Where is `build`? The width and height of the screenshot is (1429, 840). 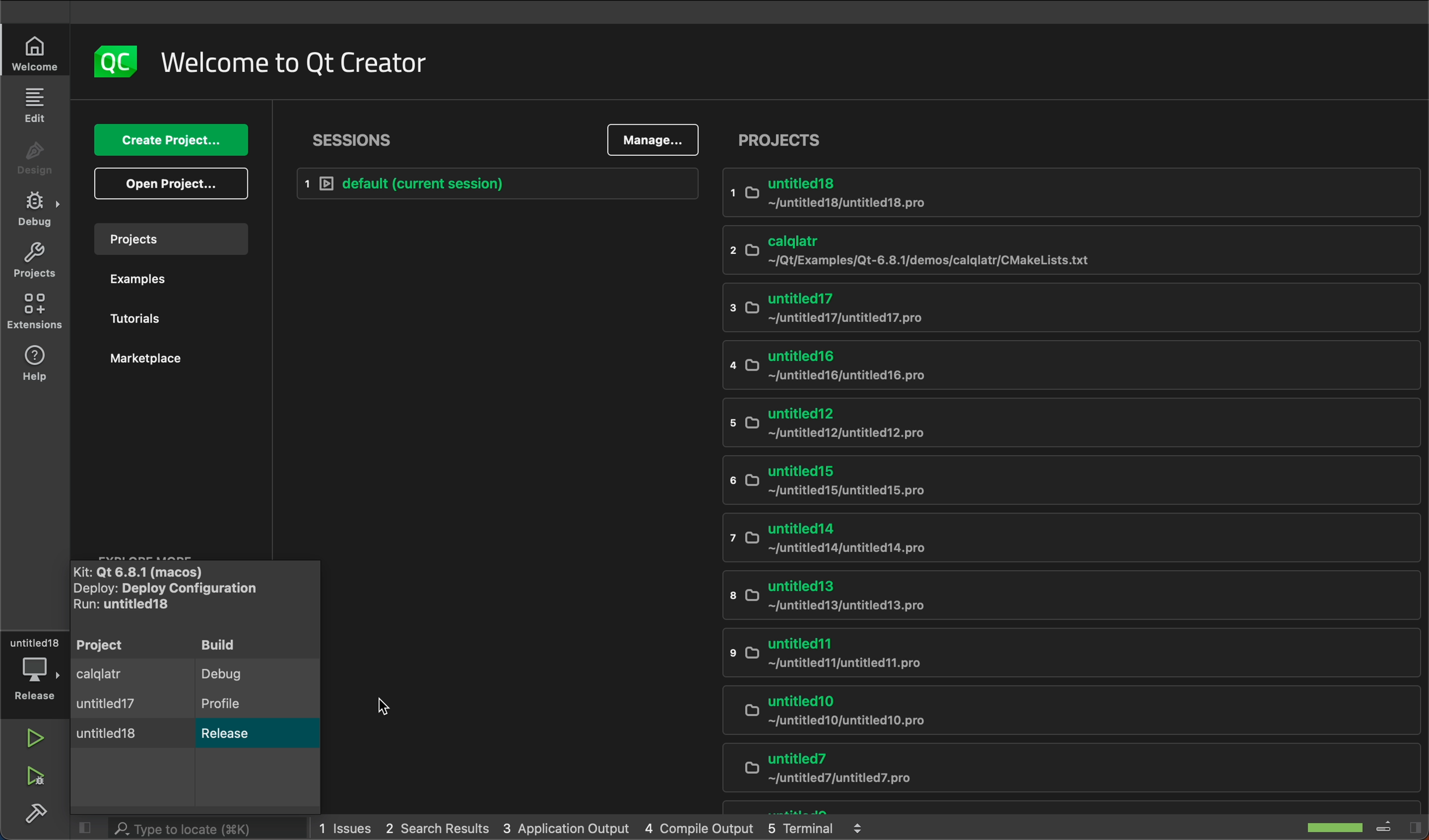
build is located at coordinates (251, 646).